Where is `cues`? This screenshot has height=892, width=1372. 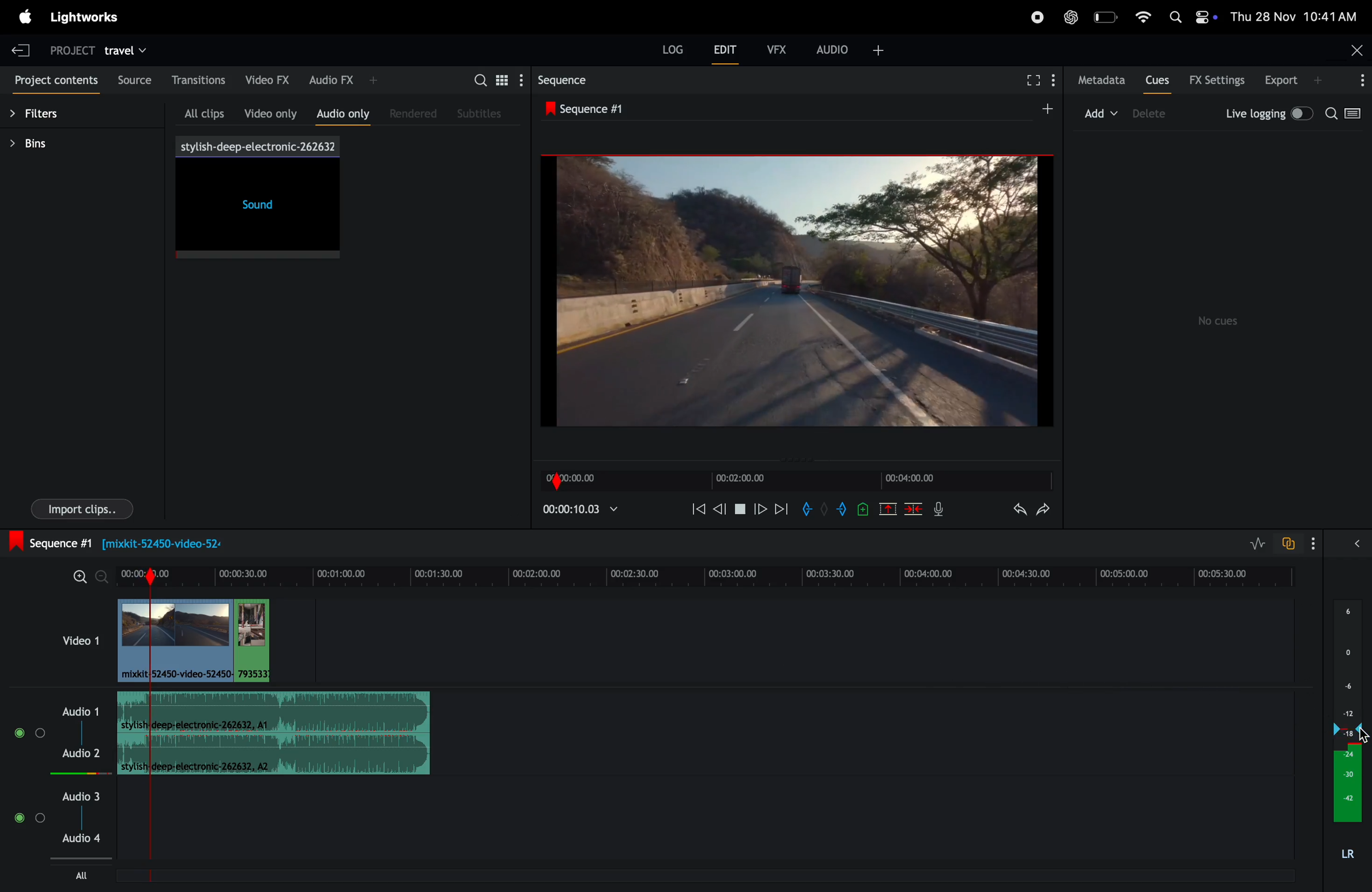 cues is located at coordinates (1156, 80).